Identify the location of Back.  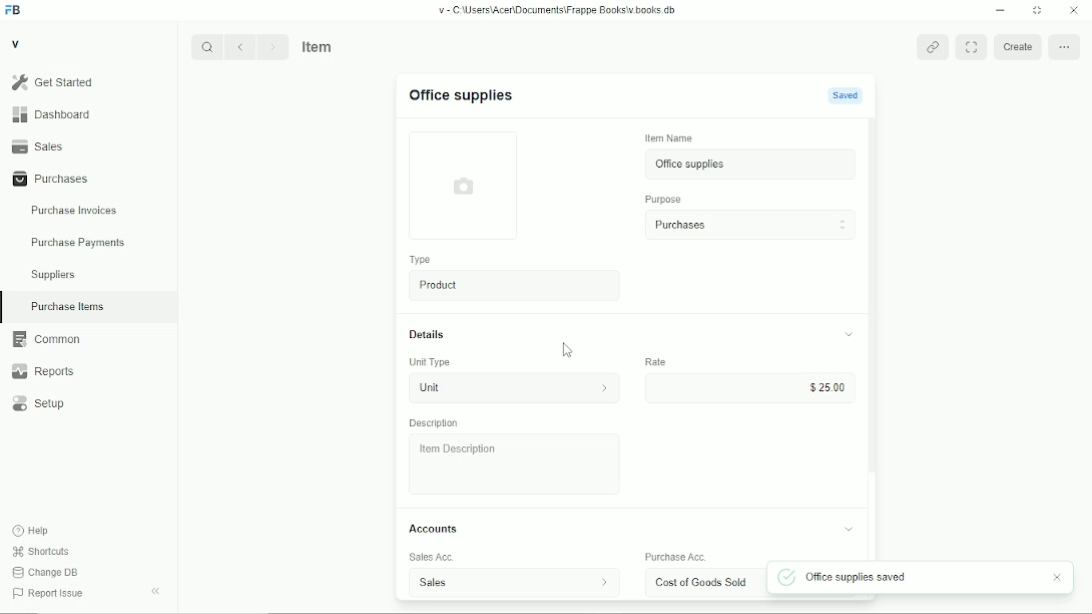
(239, 46).